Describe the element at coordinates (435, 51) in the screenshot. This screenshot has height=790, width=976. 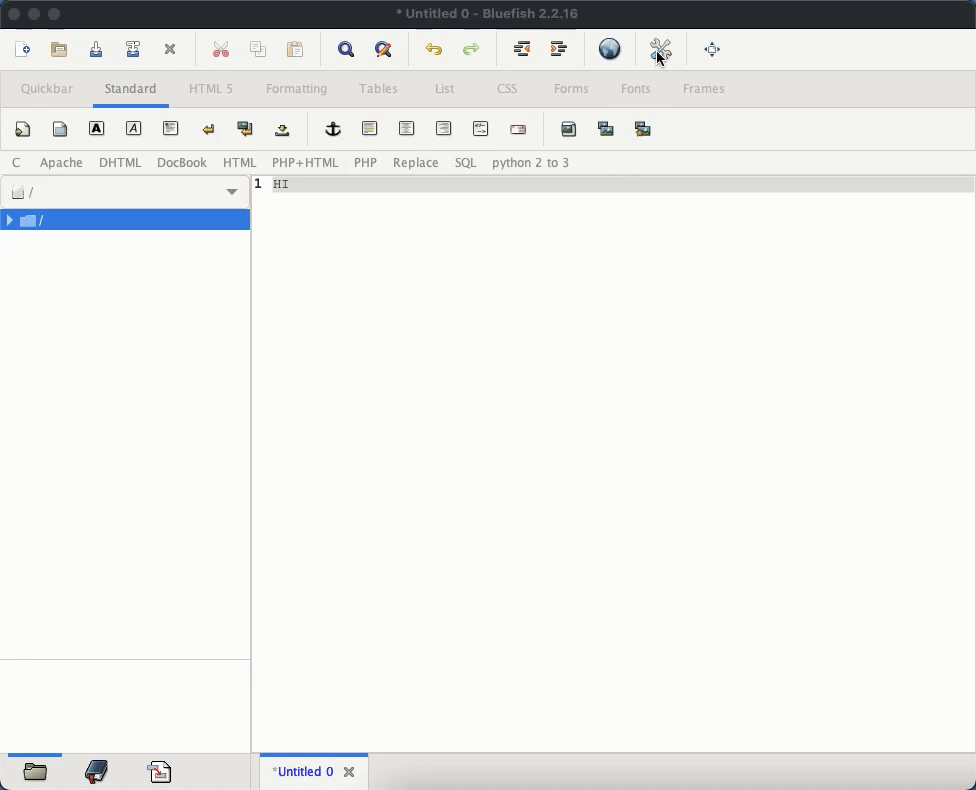
I see `undo` at that location.